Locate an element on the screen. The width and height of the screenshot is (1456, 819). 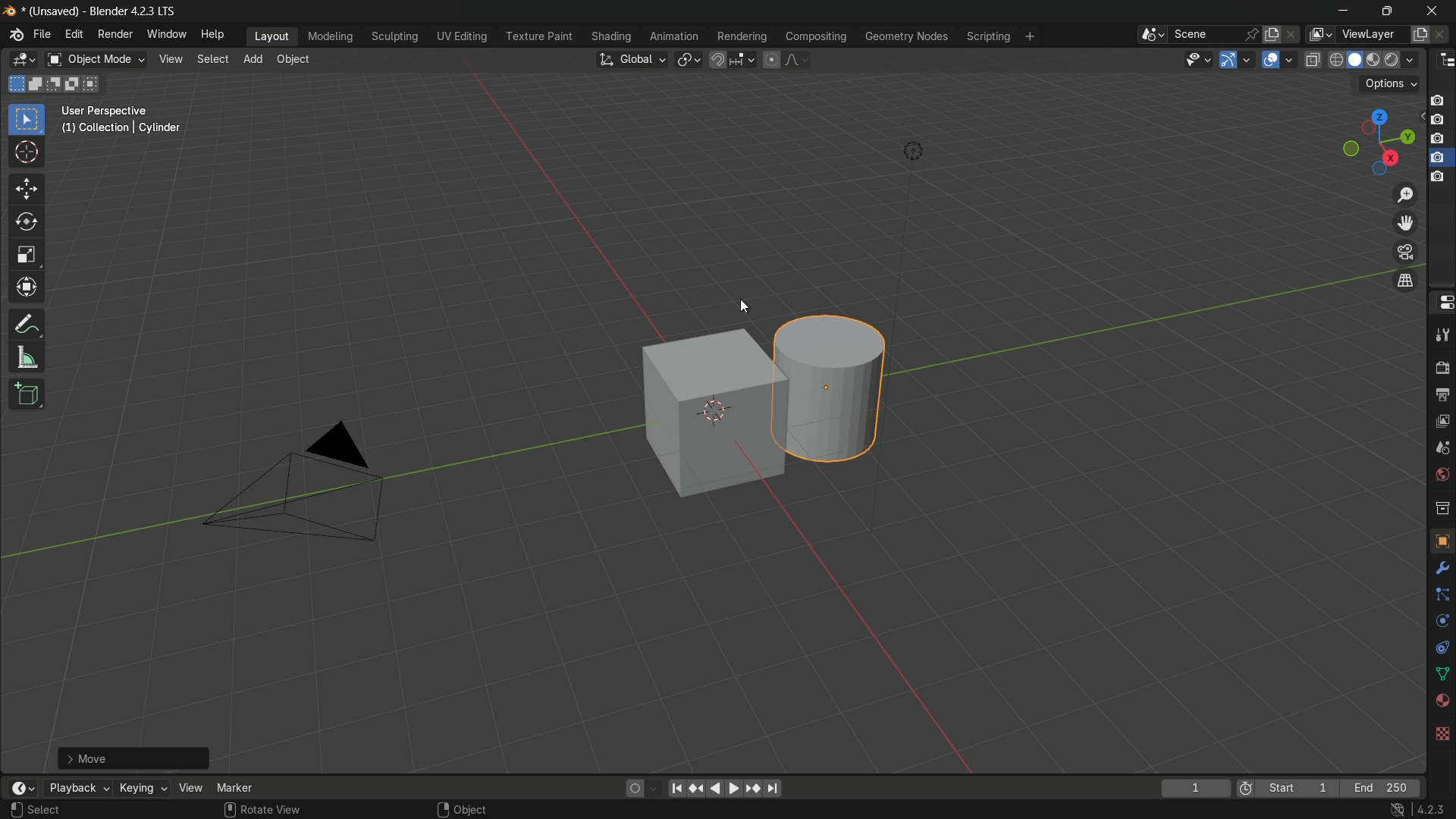
current frame is located at coordinates (1196, 787).